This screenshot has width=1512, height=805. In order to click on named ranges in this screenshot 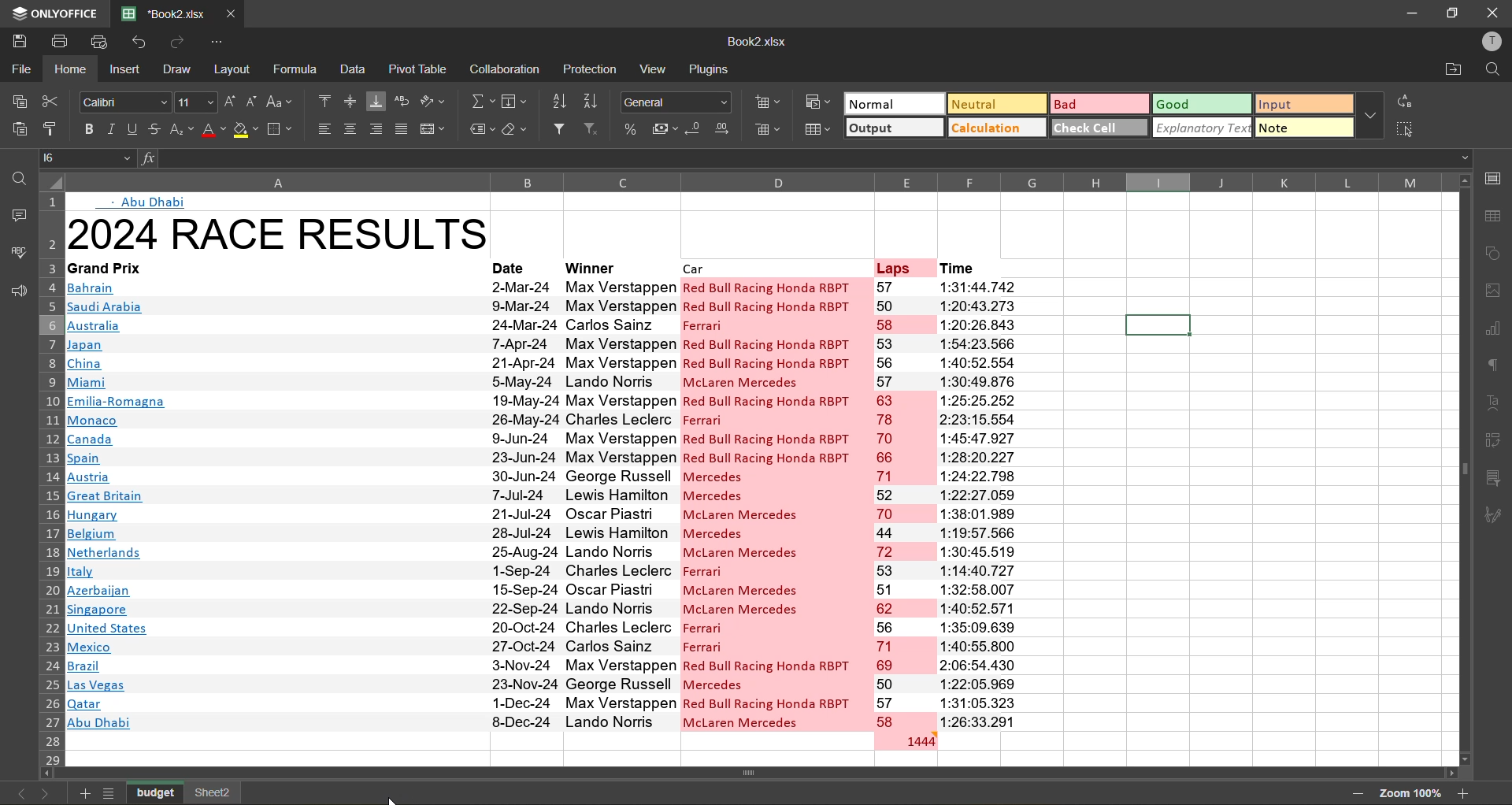, I will do `click(478, 132)`.